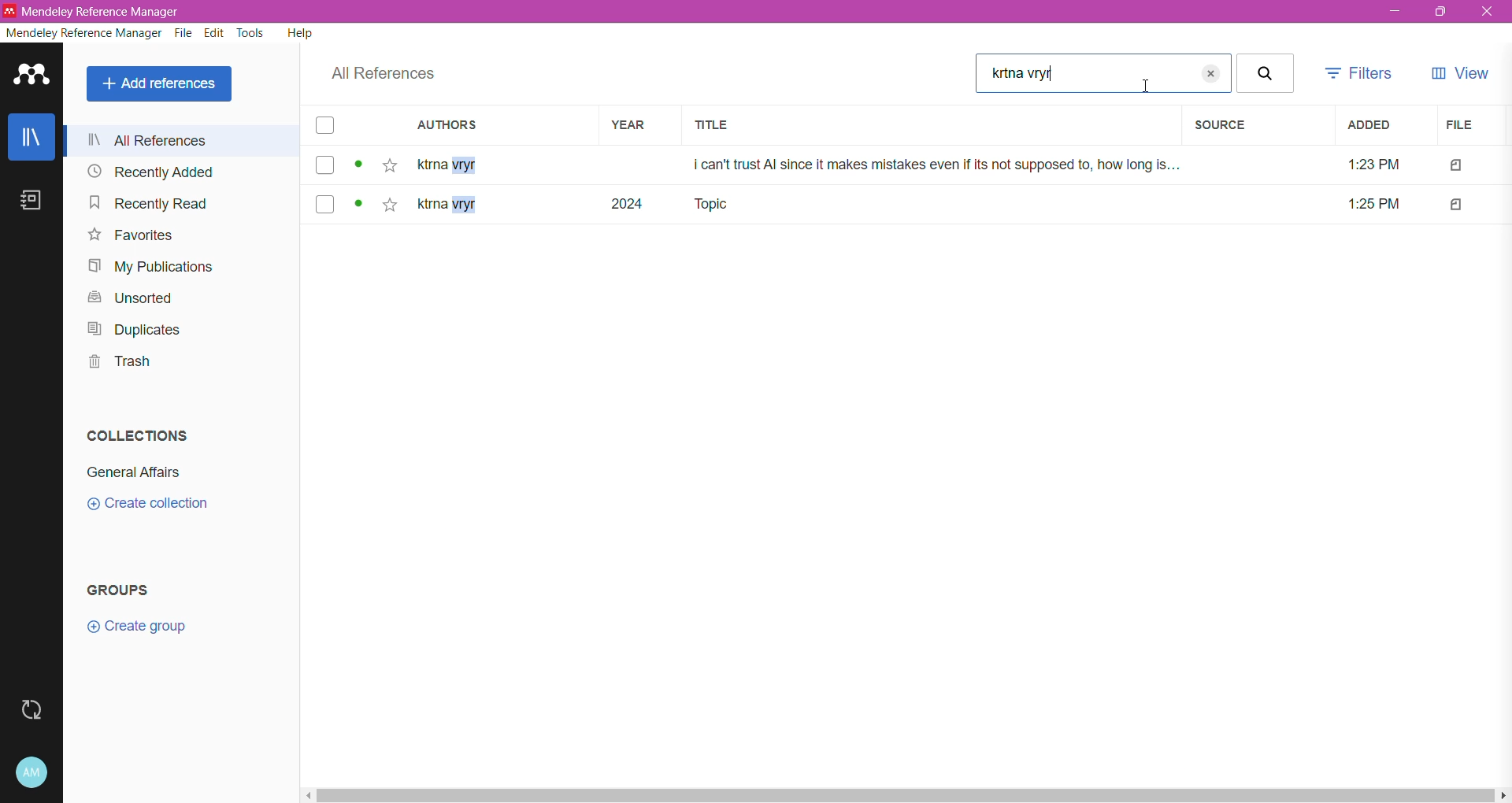 Image resolution: width=1512 pixels, height=803 pixels. Describe the element at coordinates (359, 204) in the screenshot. I see `view status of the file` at that location.